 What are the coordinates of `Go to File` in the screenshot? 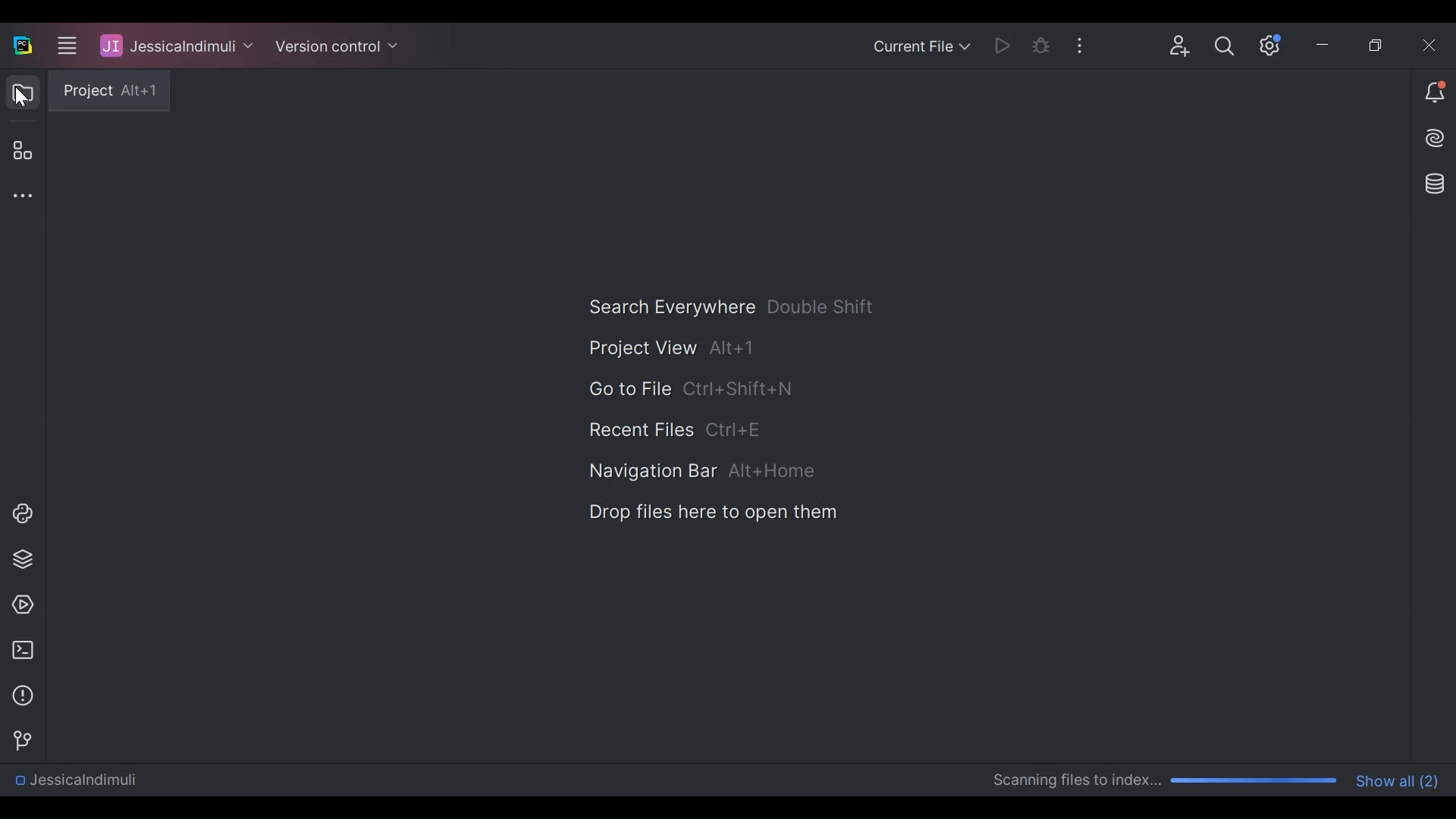 It's located at (690, 388).